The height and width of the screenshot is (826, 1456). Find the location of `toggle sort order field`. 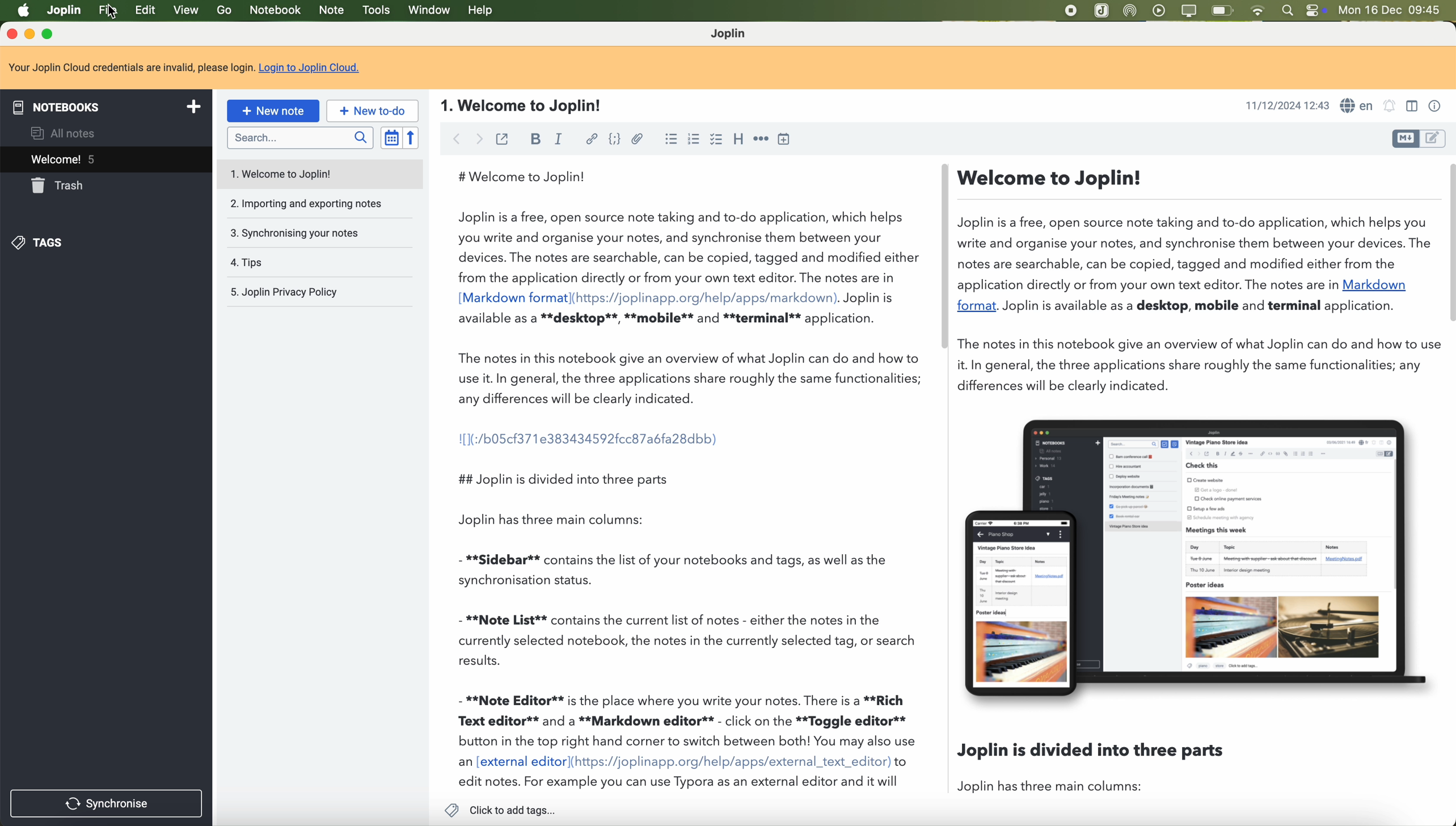

toggle sort order field is located at coordinates (389, 137).